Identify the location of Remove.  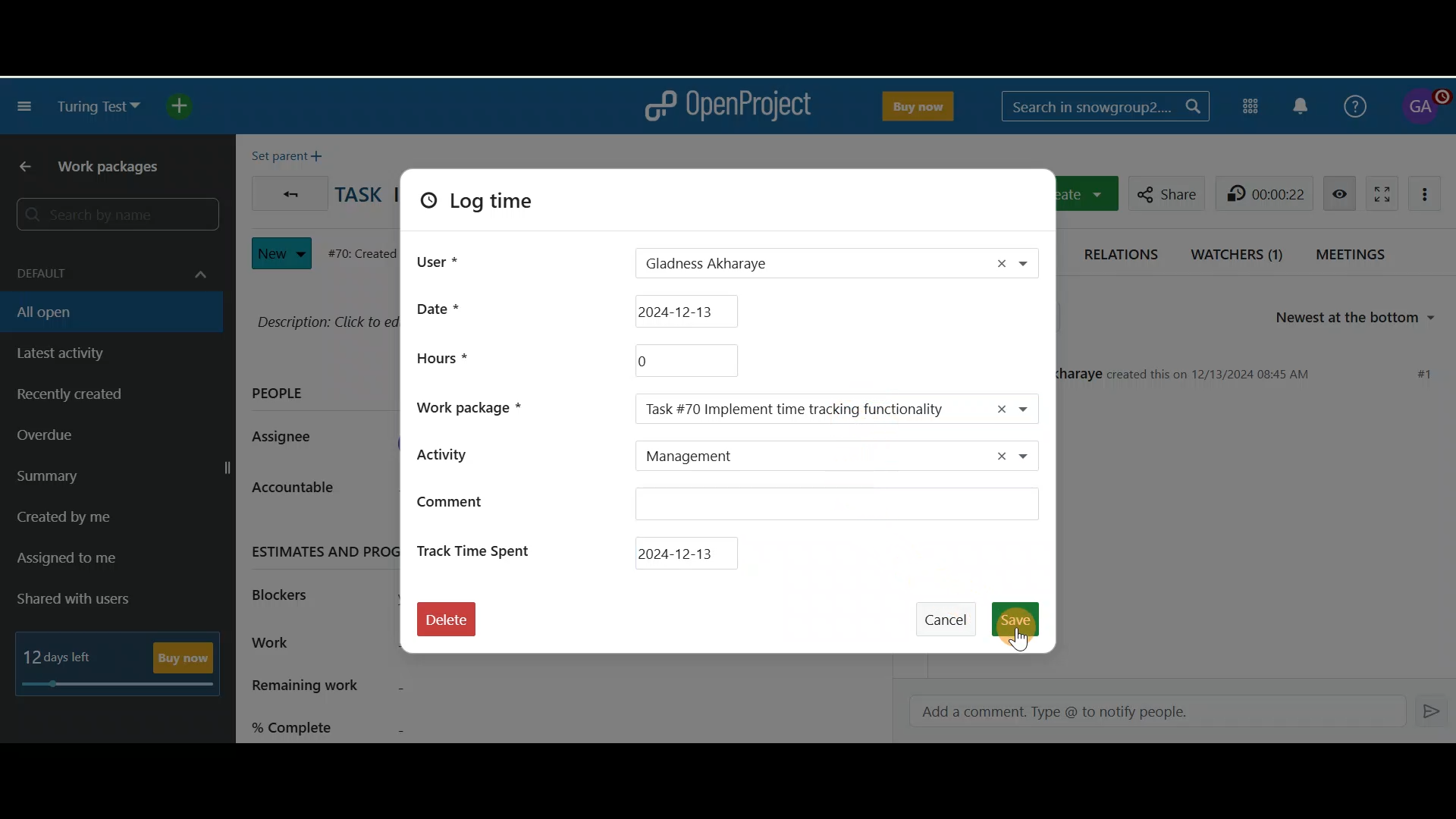
(993, 457).